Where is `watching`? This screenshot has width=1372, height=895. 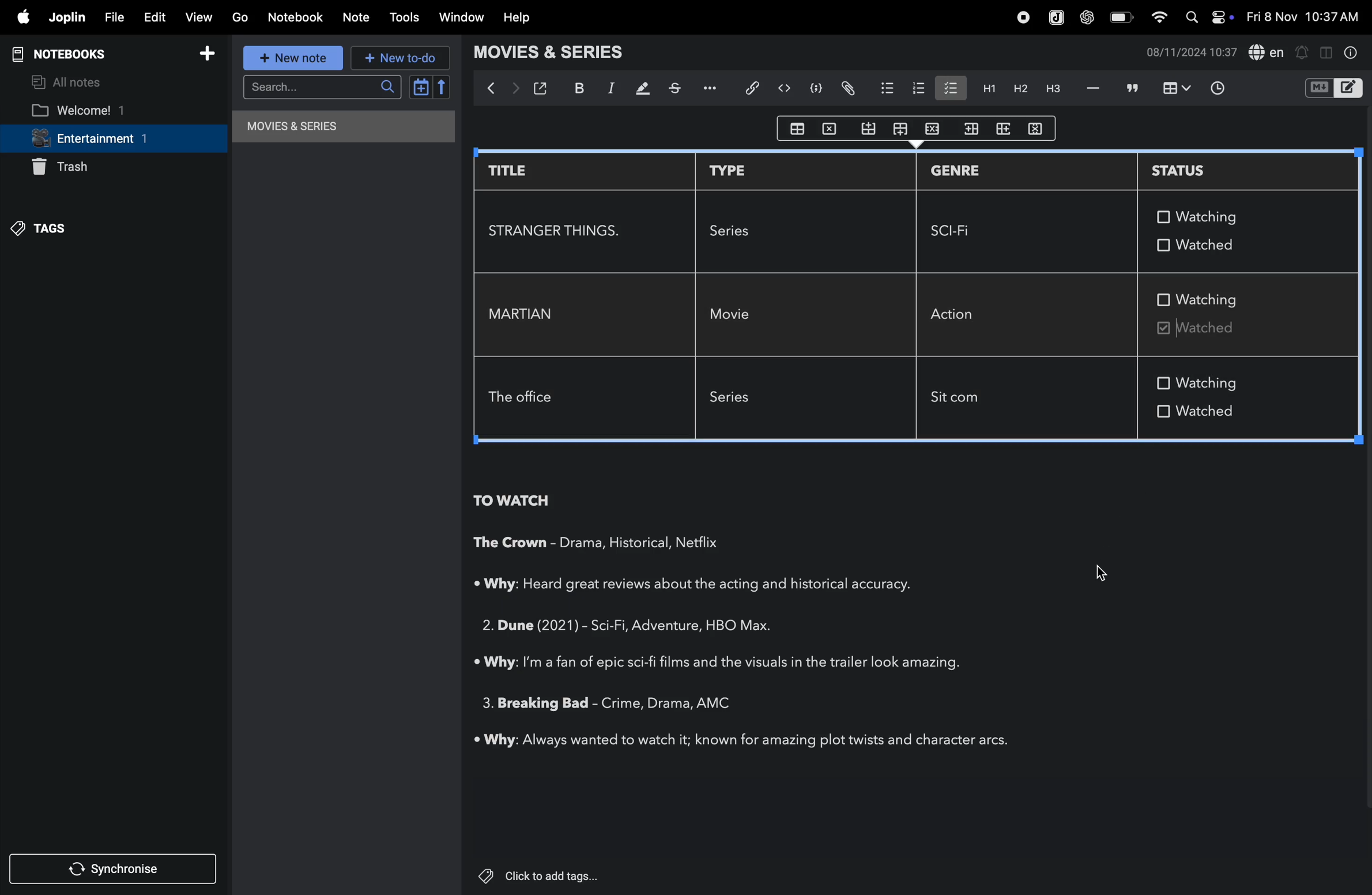
watching is located at coordinates (1211, 382).